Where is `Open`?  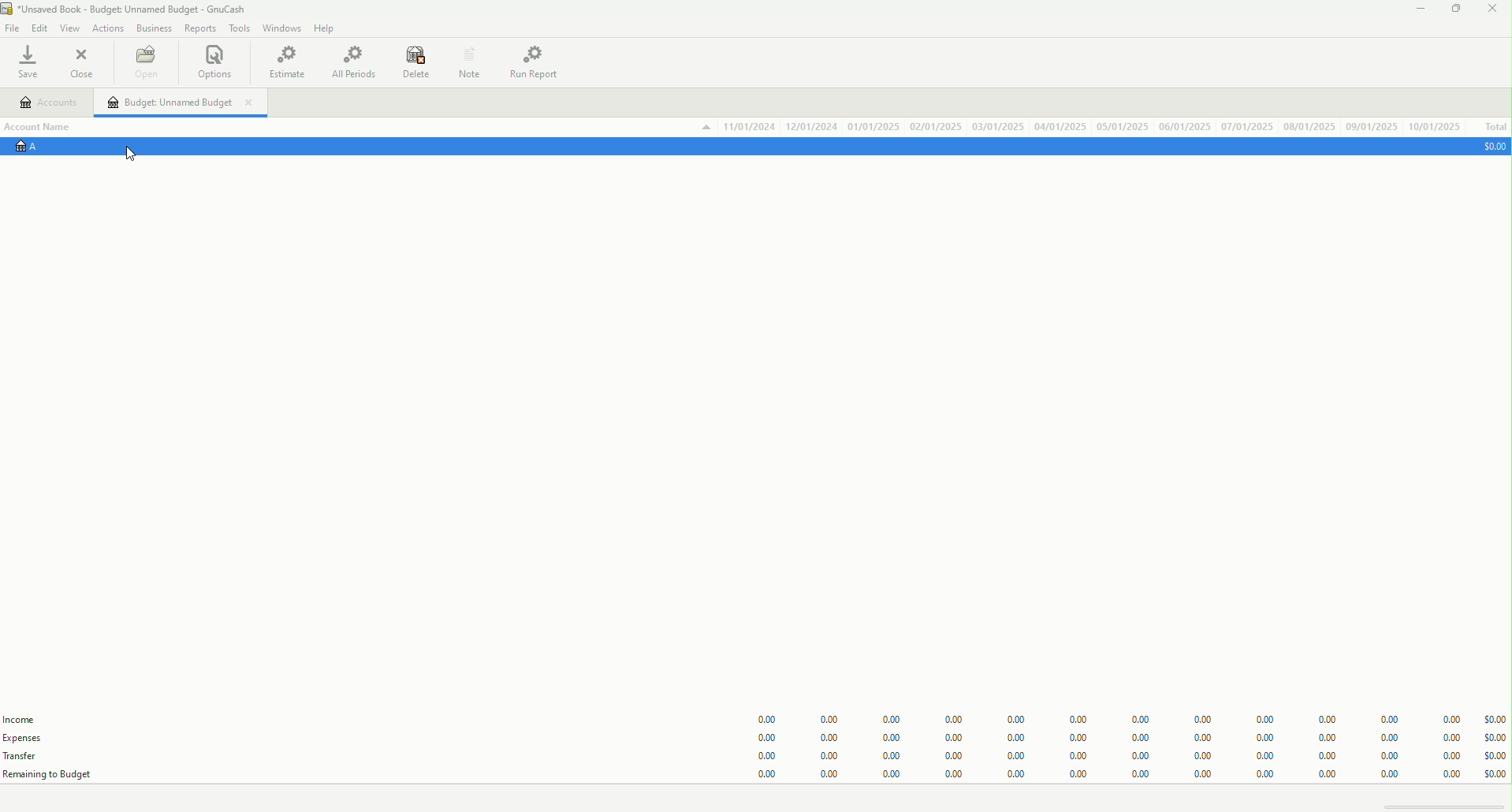 Open is located at coordinates (147, 62).